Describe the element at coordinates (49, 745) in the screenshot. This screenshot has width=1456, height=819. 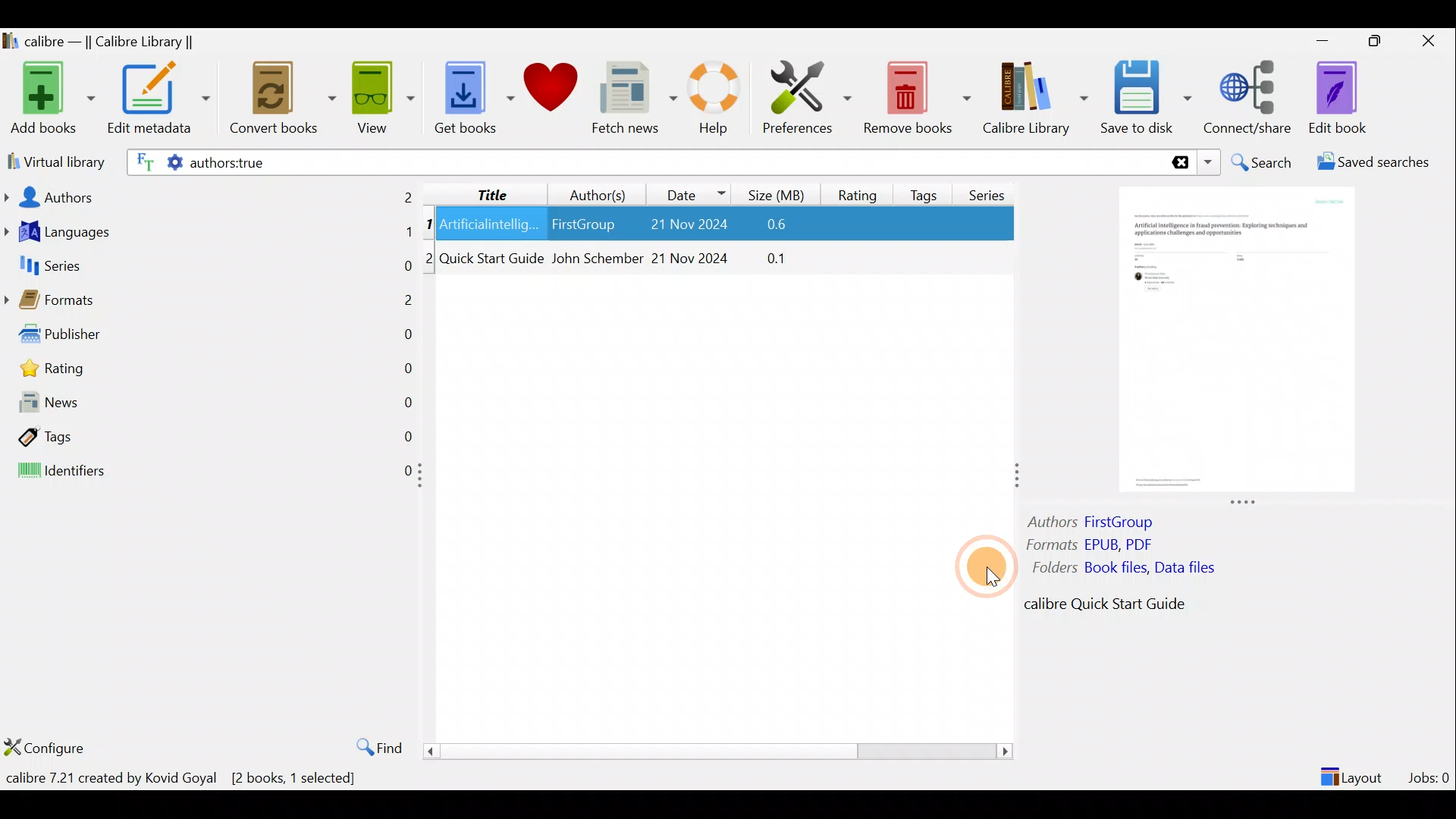
I see `Configure` at that location.